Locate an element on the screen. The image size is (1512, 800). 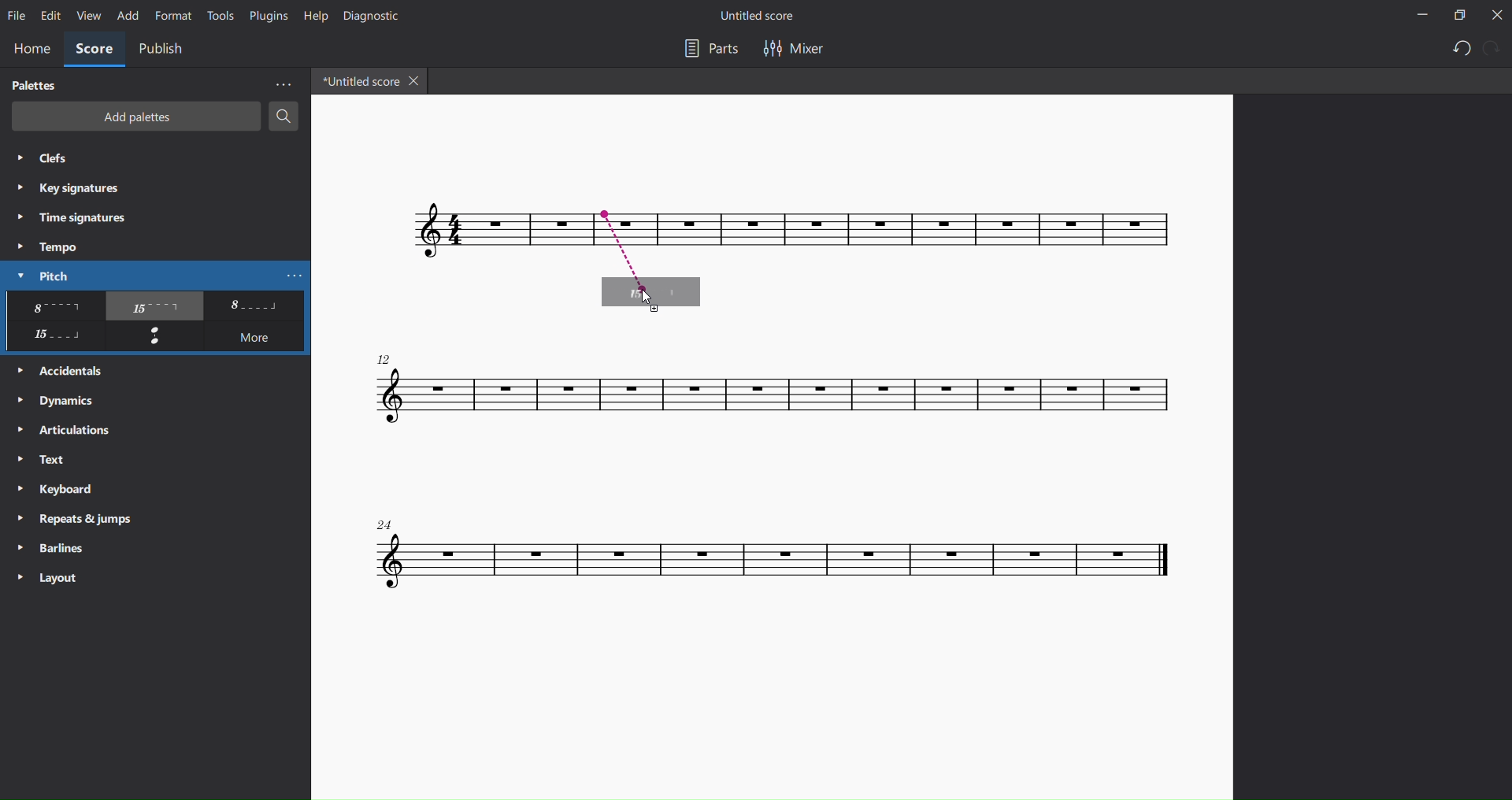
text is located at coordinates (48, 461).